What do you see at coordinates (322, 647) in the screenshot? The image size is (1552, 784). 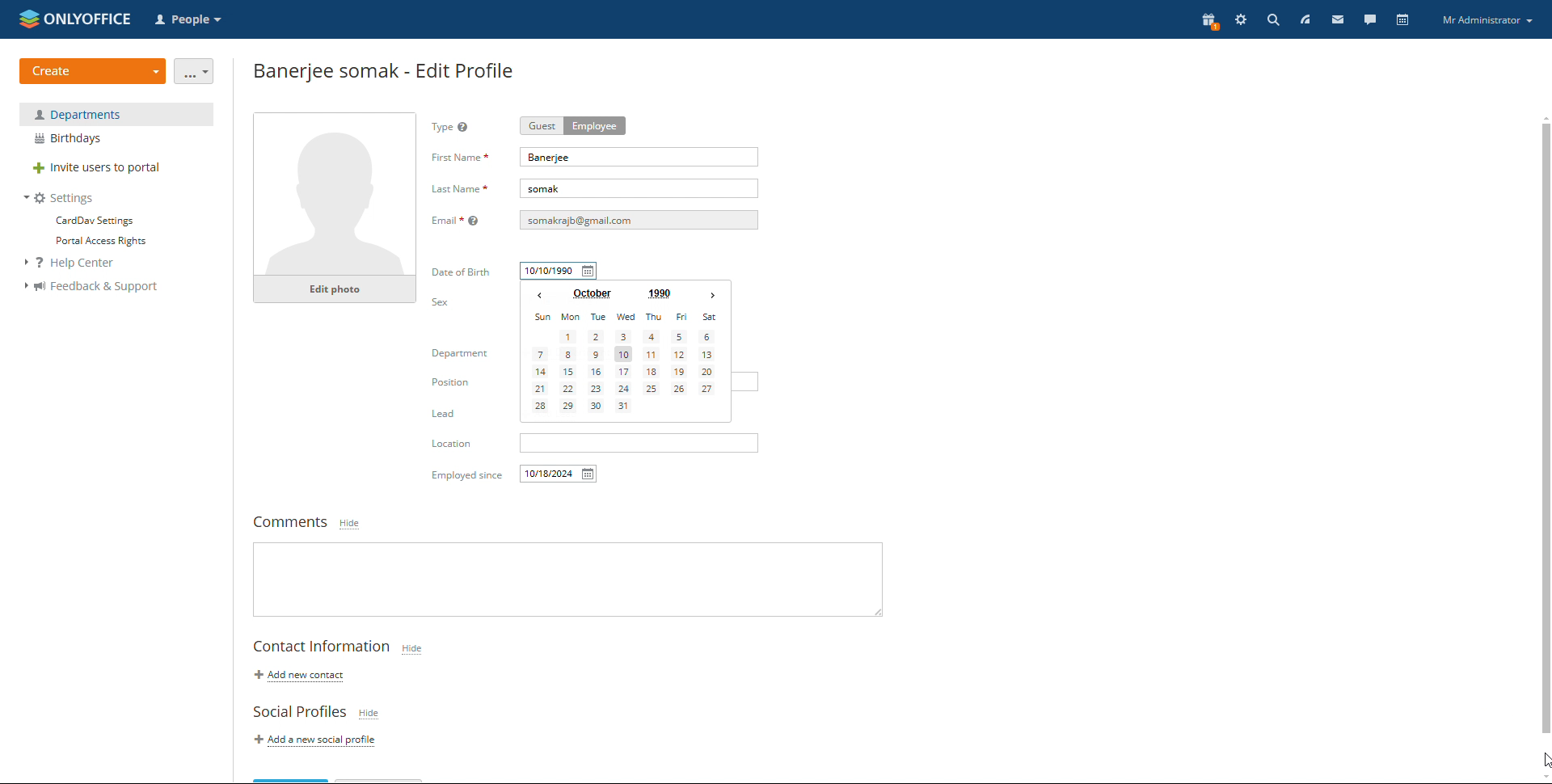 I see `contact information` at bounding box center [322, 647].